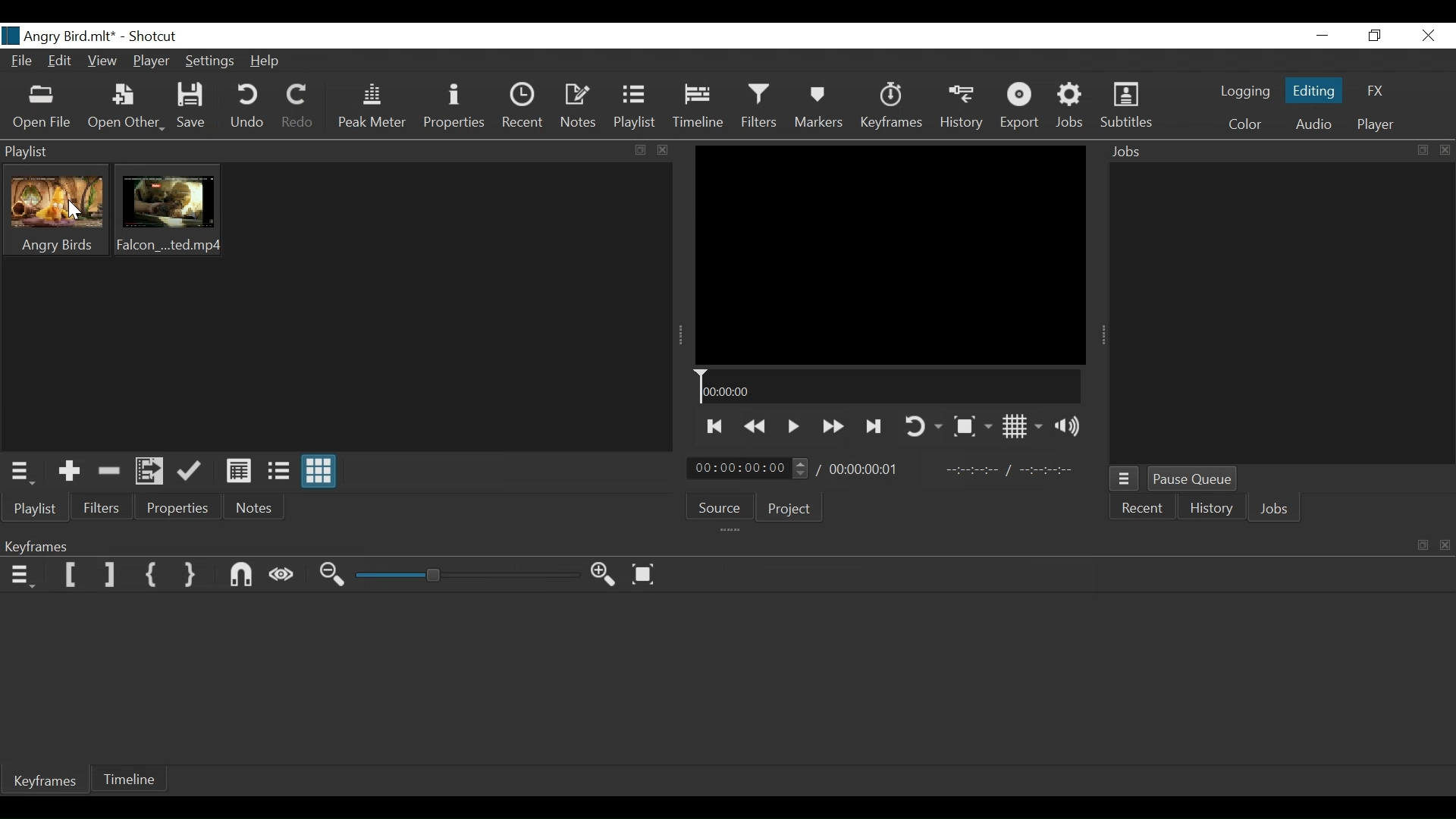  Describe the element at coordinates (961, 108) in the screenshot. I see `History` at that location.